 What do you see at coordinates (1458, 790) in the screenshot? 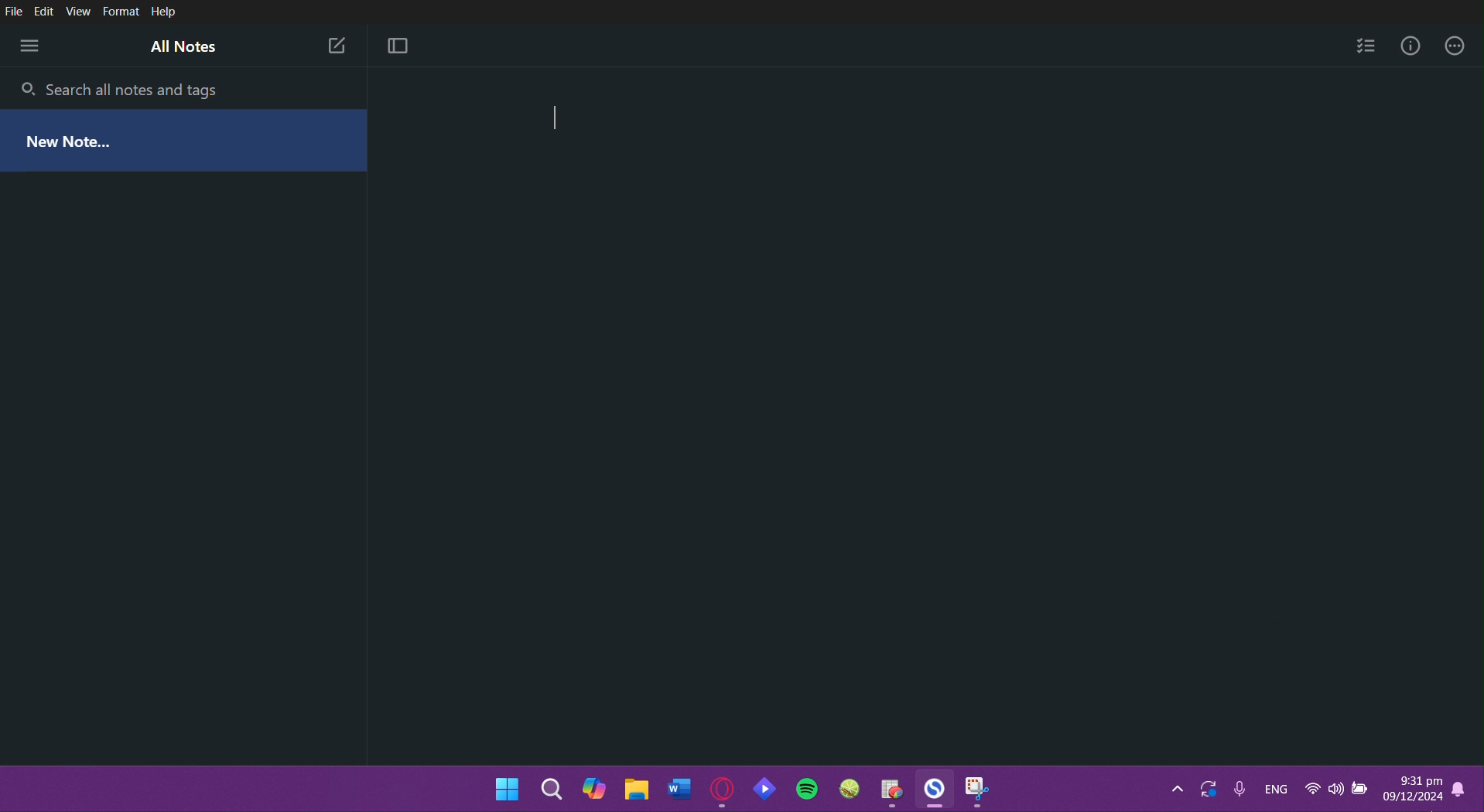
I see `notification` at bounding box center [1458, 790].